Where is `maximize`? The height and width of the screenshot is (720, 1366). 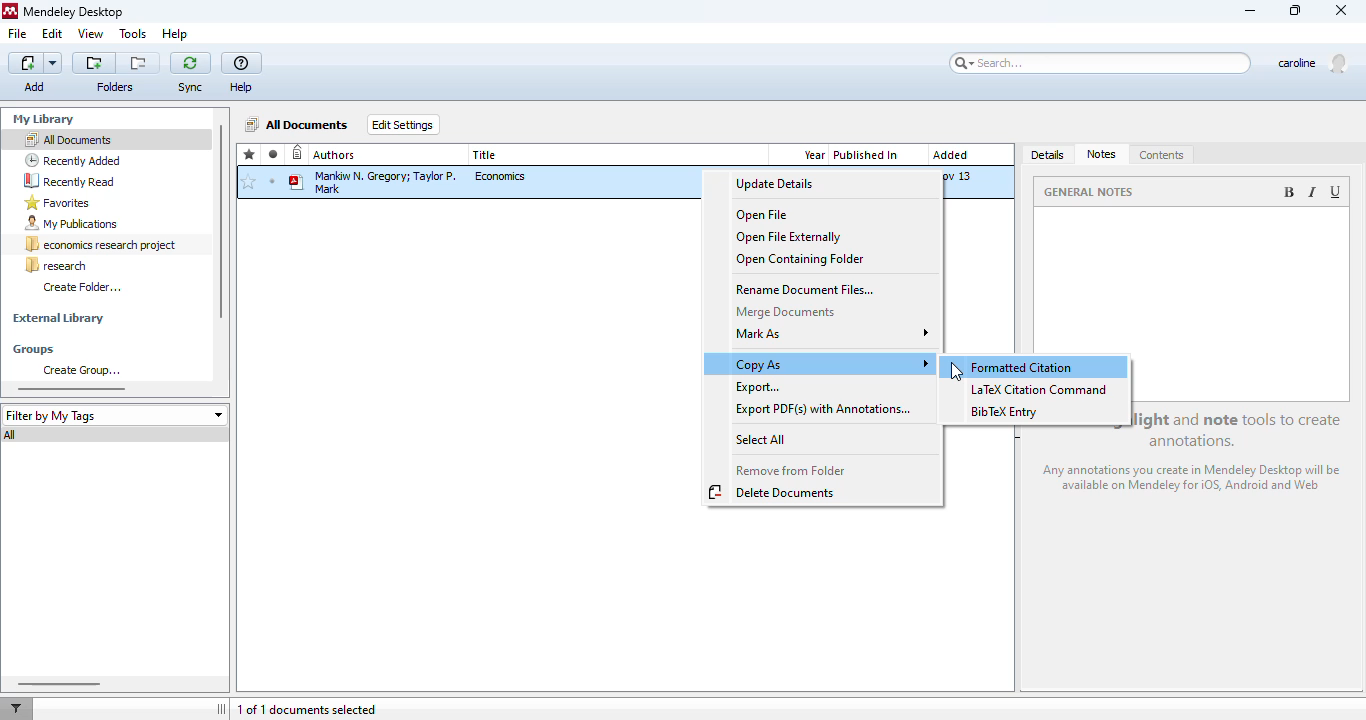 maximize is located at coordinates (1296, 10).